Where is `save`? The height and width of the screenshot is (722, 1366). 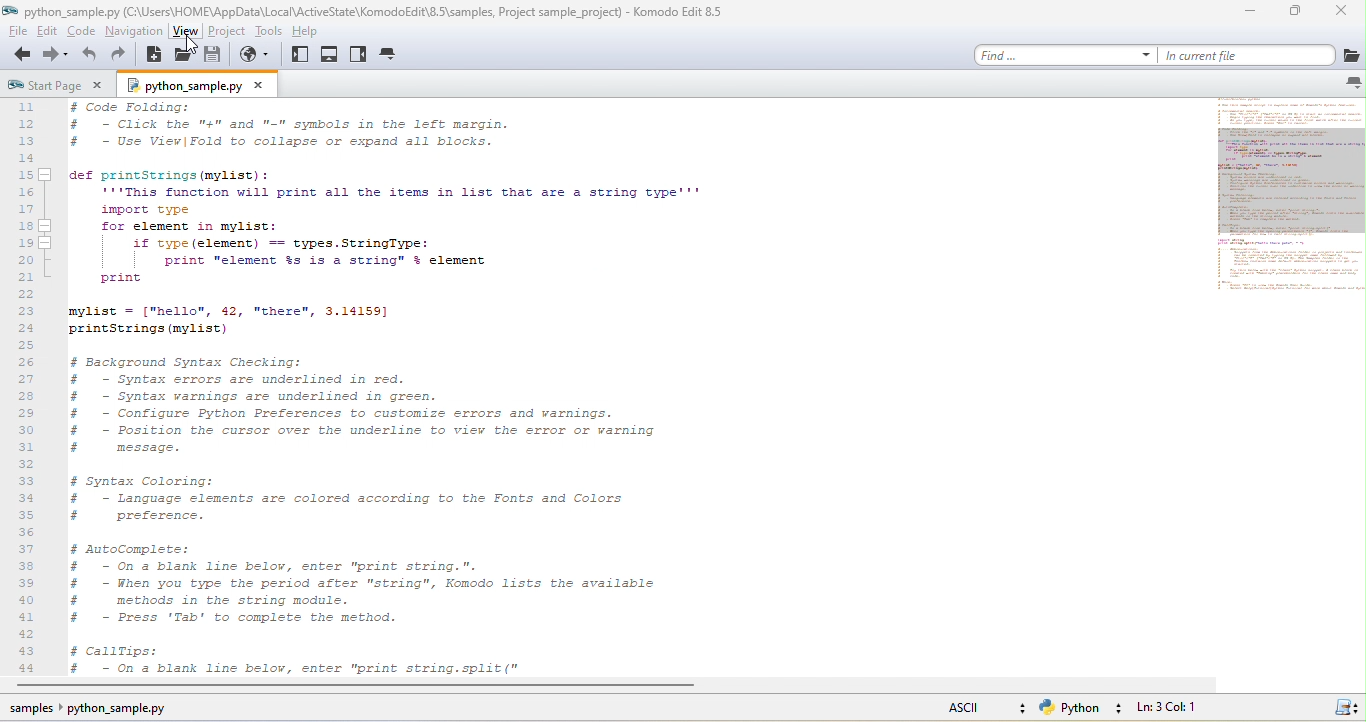 save is located at coordinates (217, 59).